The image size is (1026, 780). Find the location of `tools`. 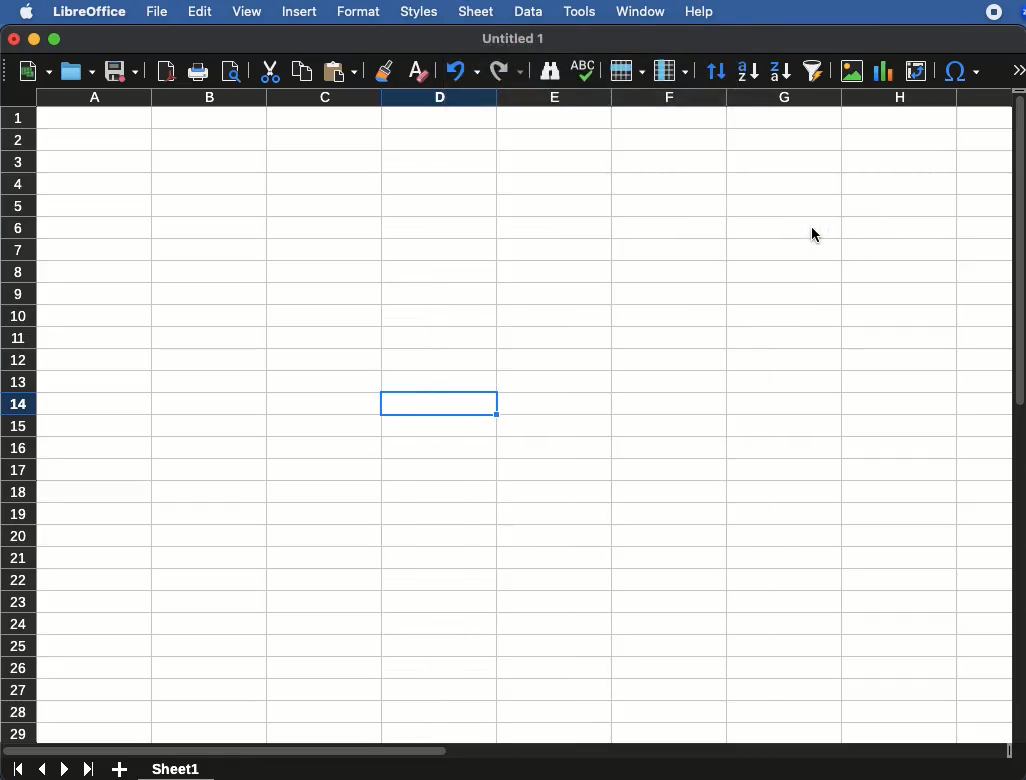

tools is located at coordinates (580, 13).